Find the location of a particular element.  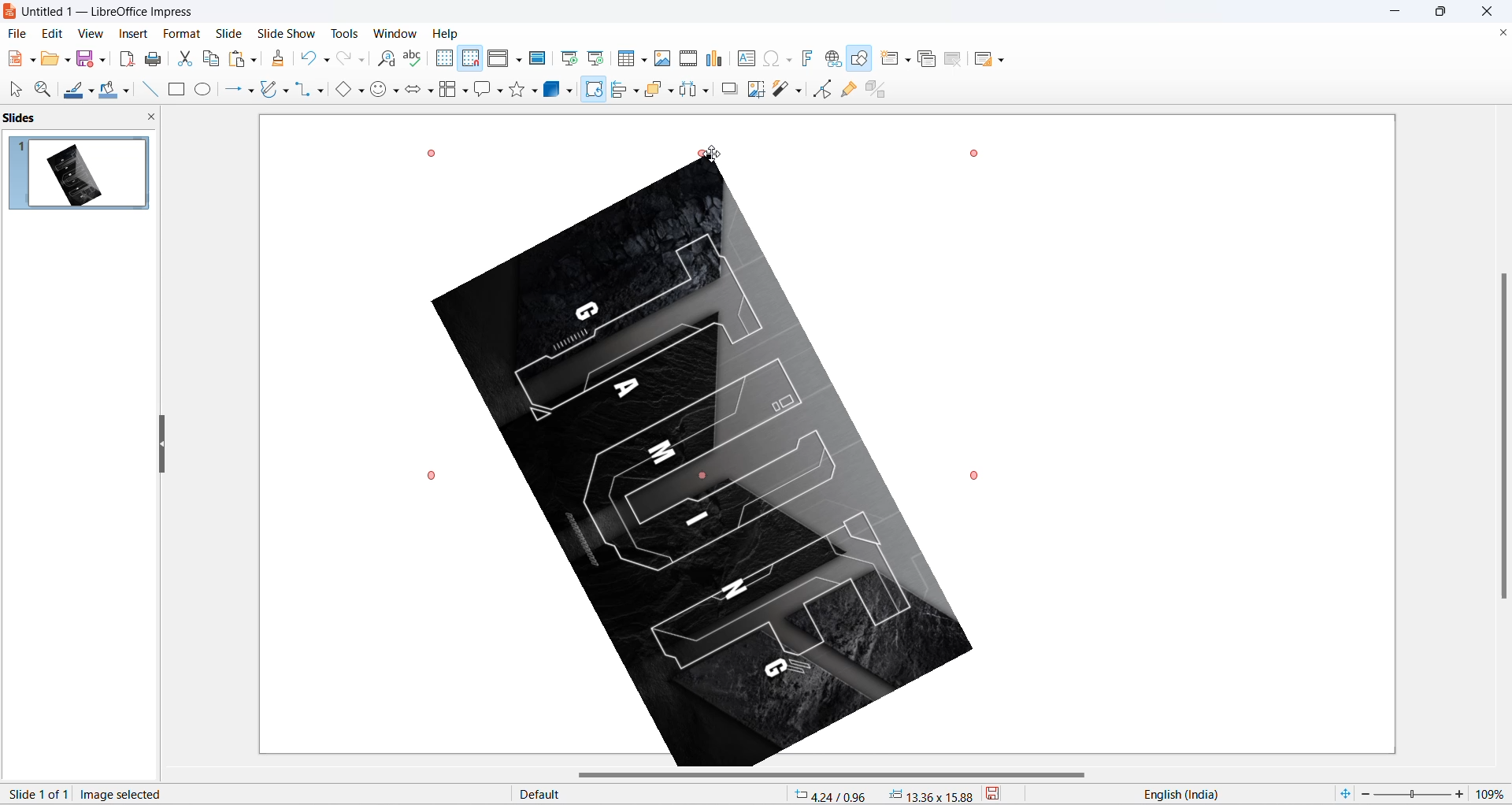

window is located at coordinates (398, 33).